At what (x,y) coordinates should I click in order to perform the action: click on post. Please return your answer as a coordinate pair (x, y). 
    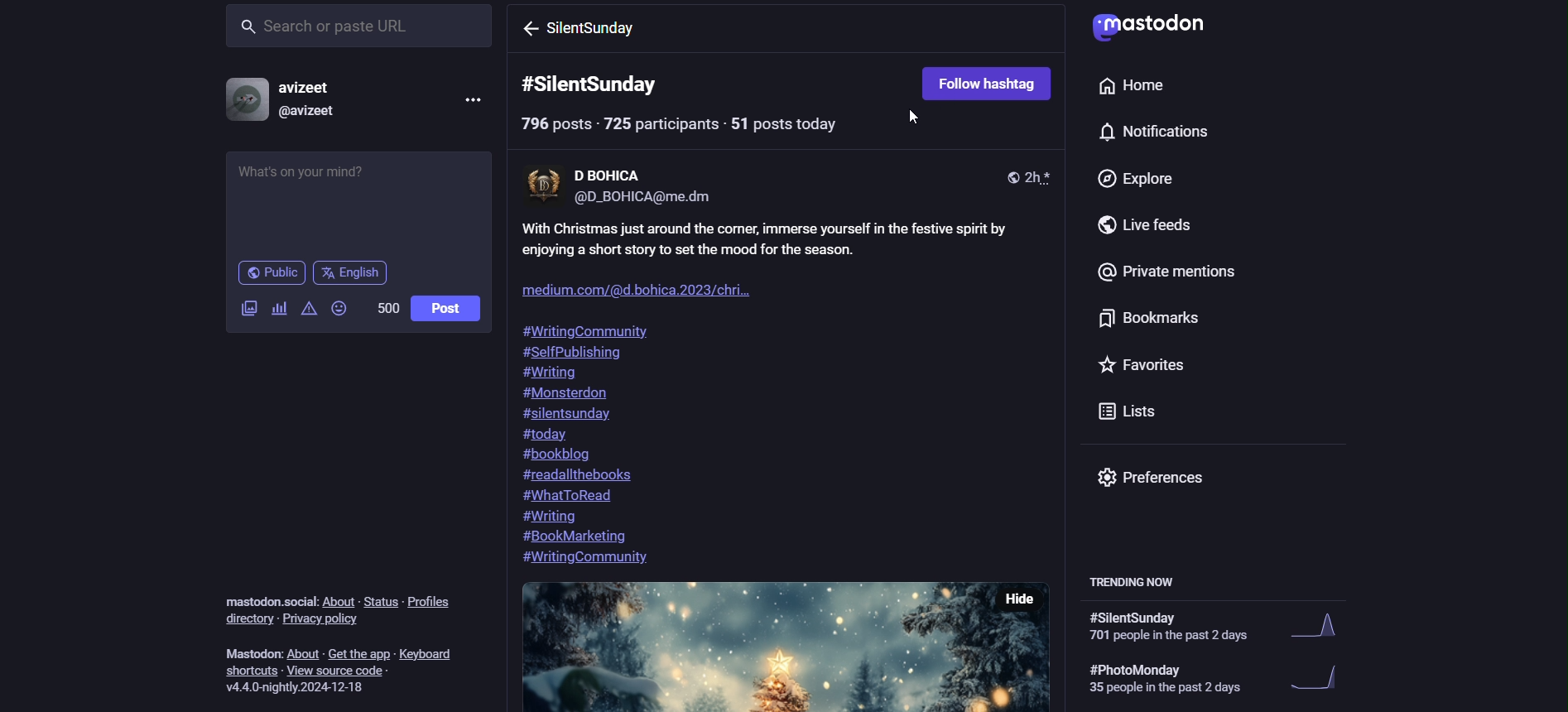
    Looking at the image, I should click on (448, 307).